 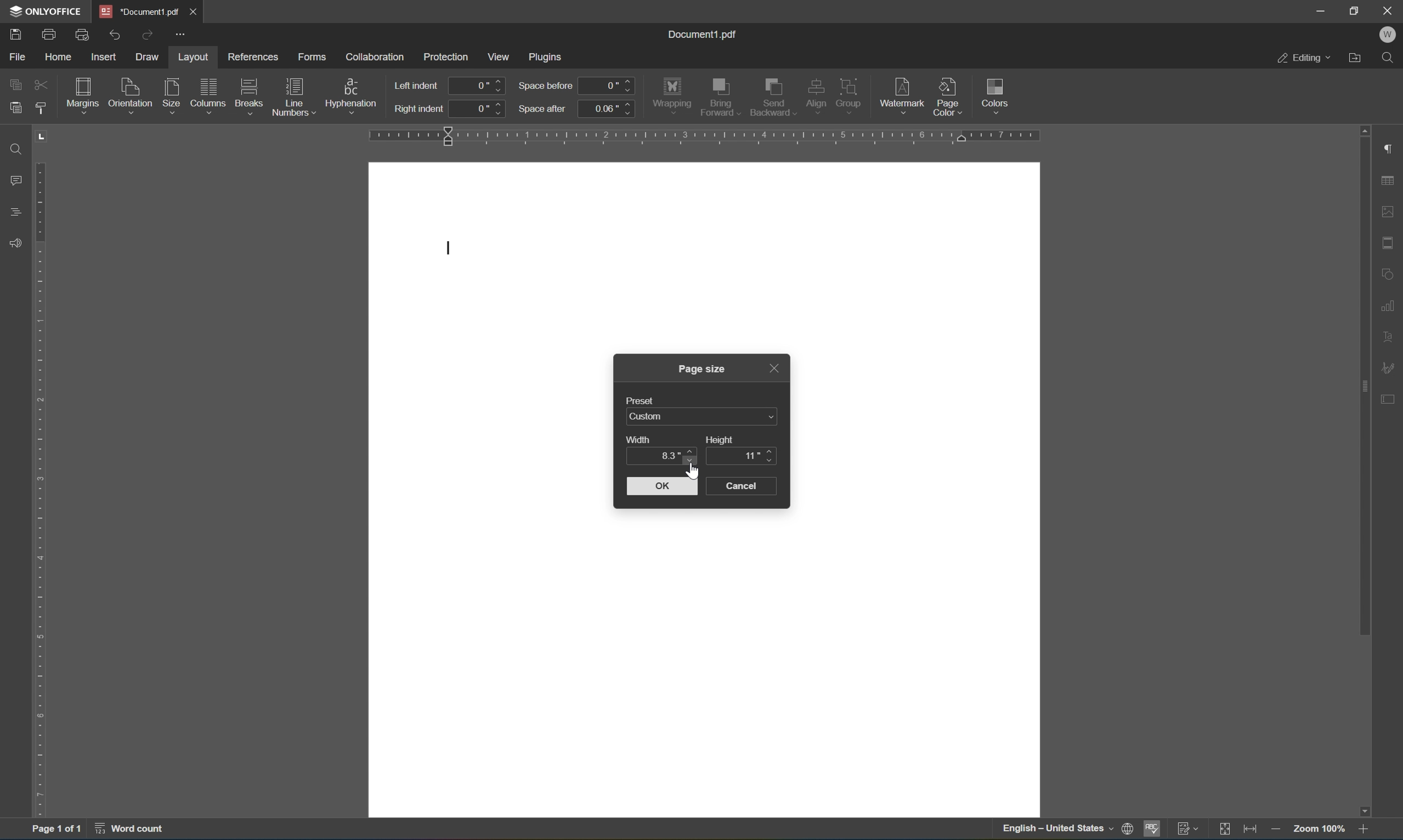 I want to click on editing, so click(x=1303, y=59).